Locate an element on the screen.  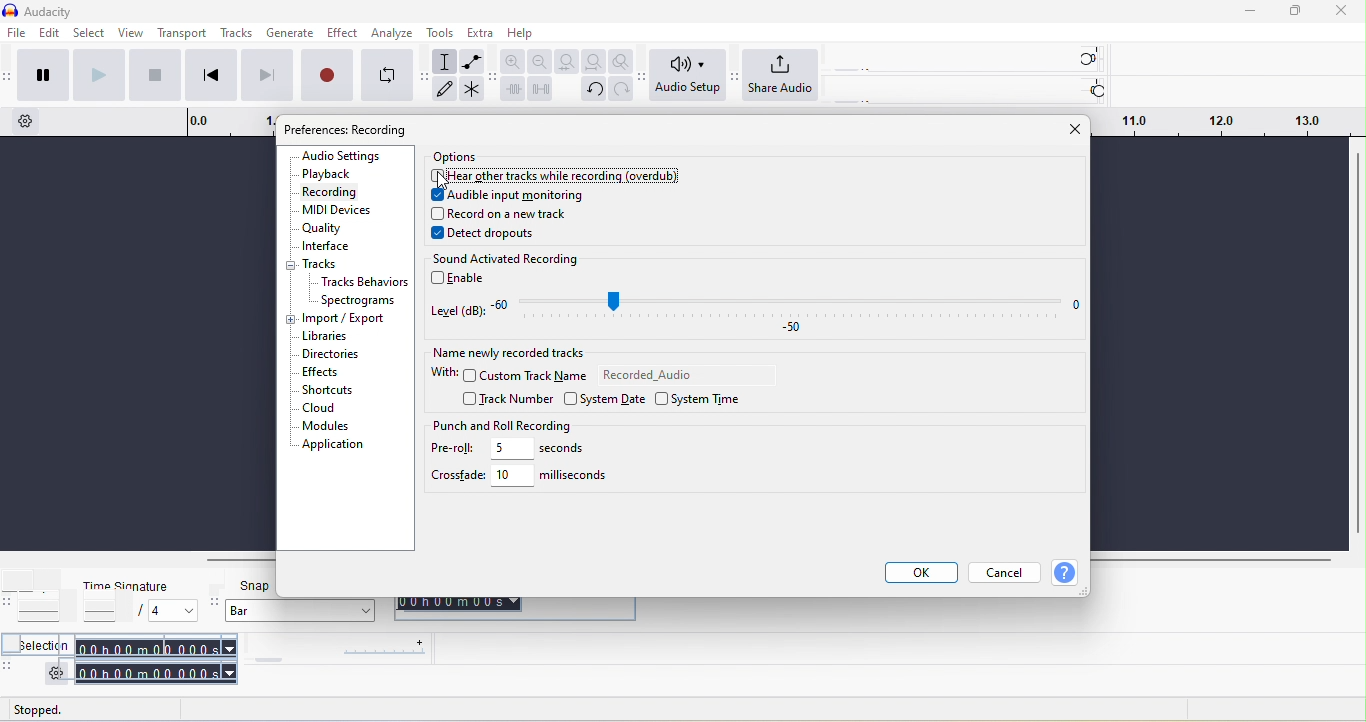
detect dropouts is located at coordinates (485, 234).